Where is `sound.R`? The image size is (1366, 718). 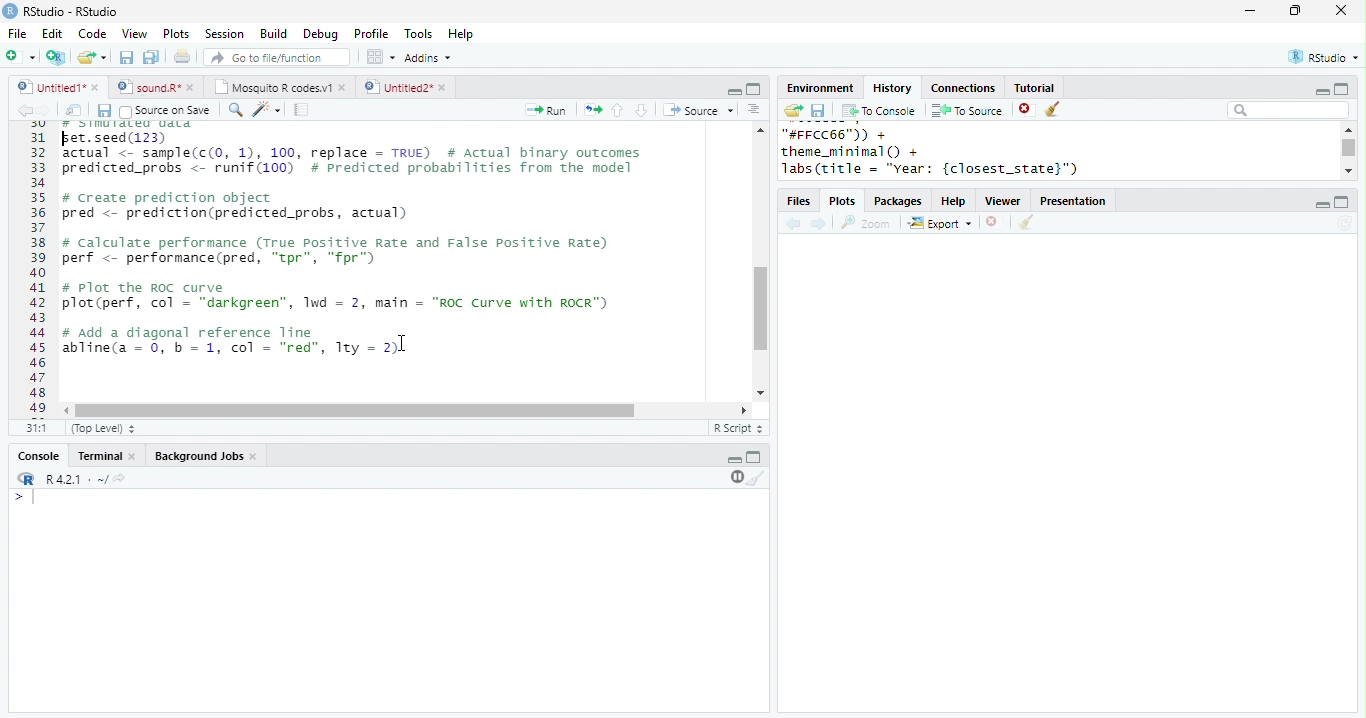
sound.R is located at coordinates (149, 87).